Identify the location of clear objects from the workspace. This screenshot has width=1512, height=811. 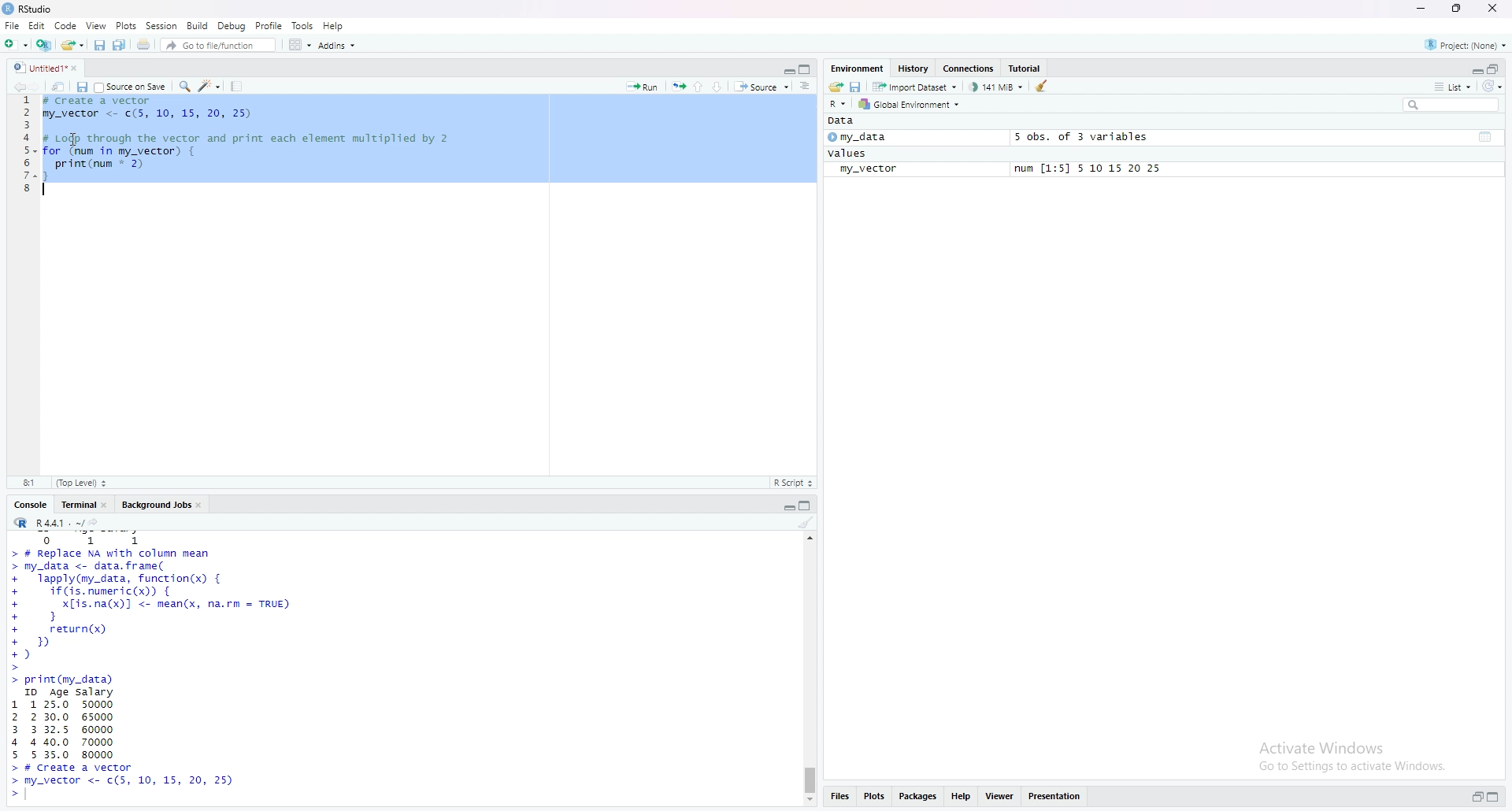
(1043, 87).